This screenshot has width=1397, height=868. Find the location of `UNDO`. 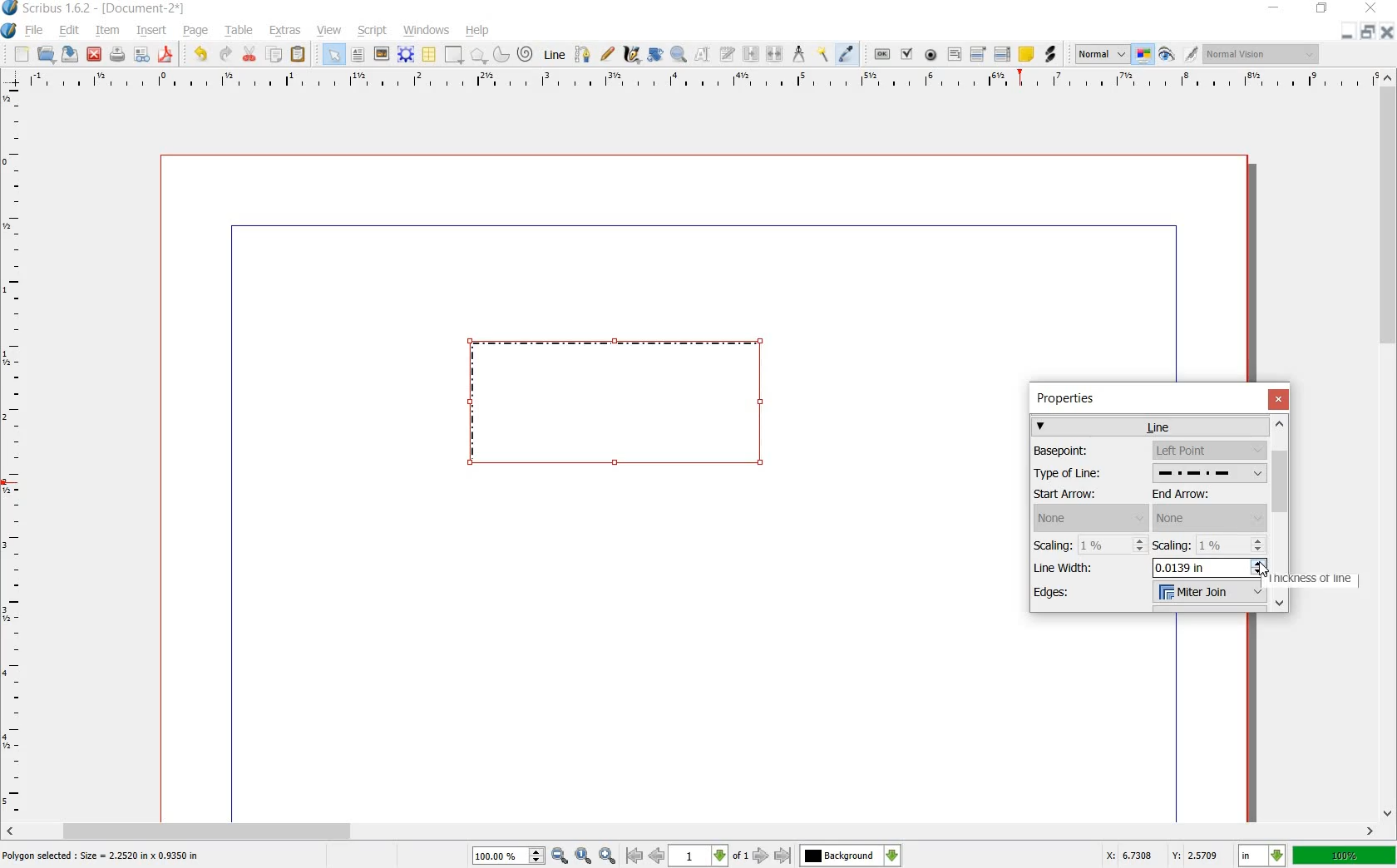

UNDO is located at coordinates (198, 55).